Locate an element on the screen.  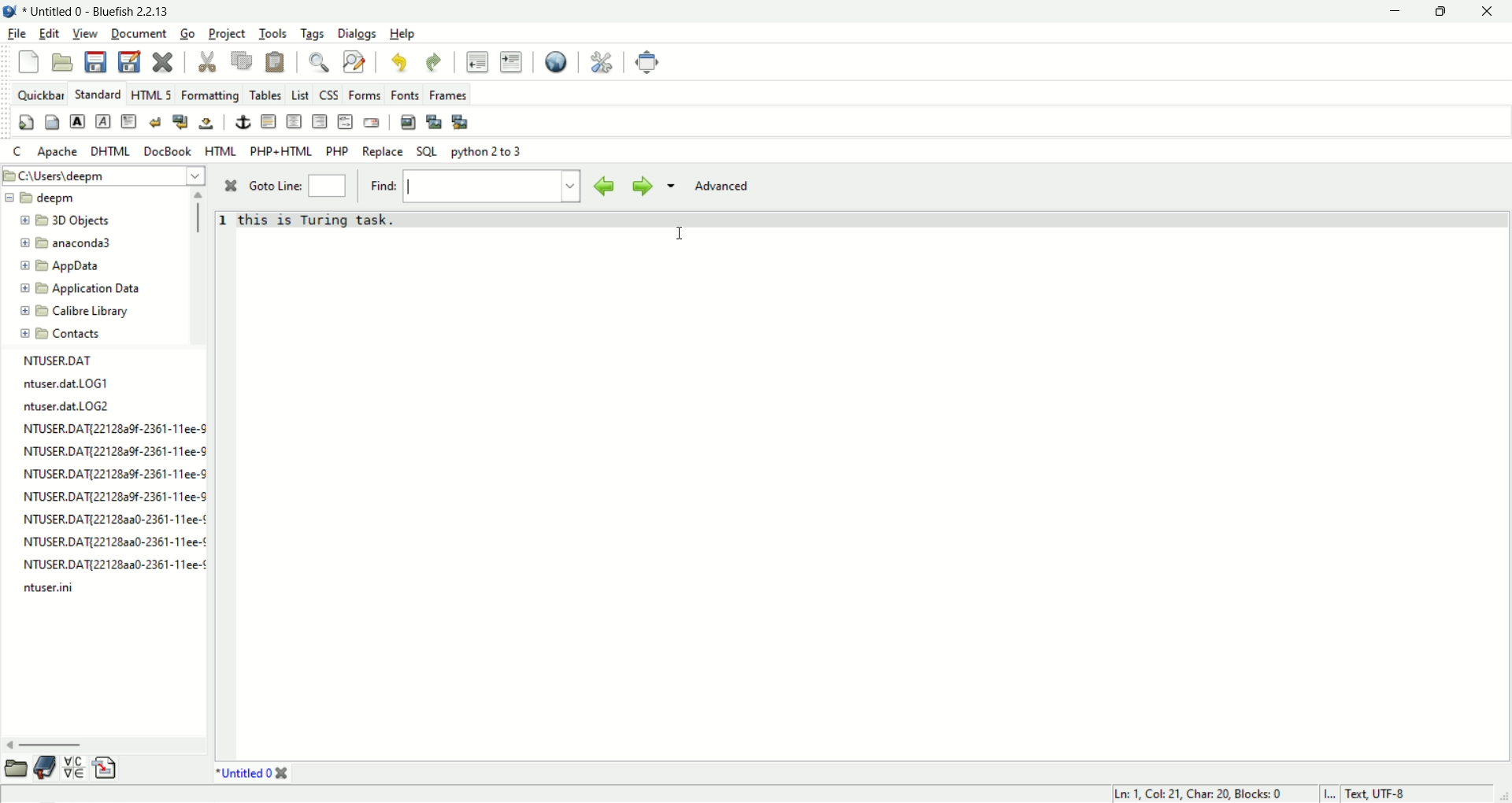
close is located at coordinates (165, 64).